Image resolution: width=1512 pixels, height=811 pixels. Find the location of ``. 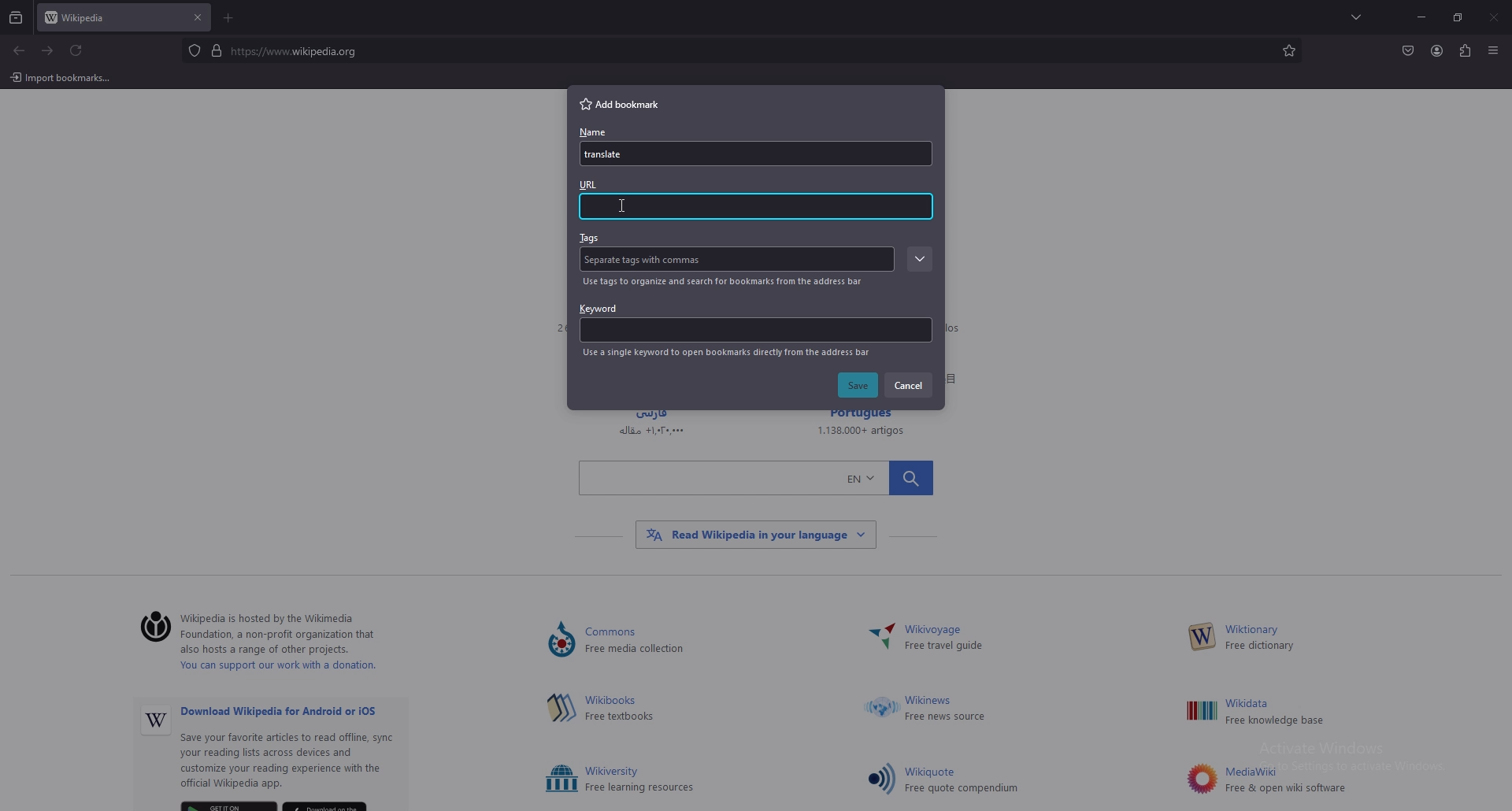

 is located at coordinates (879, 639).